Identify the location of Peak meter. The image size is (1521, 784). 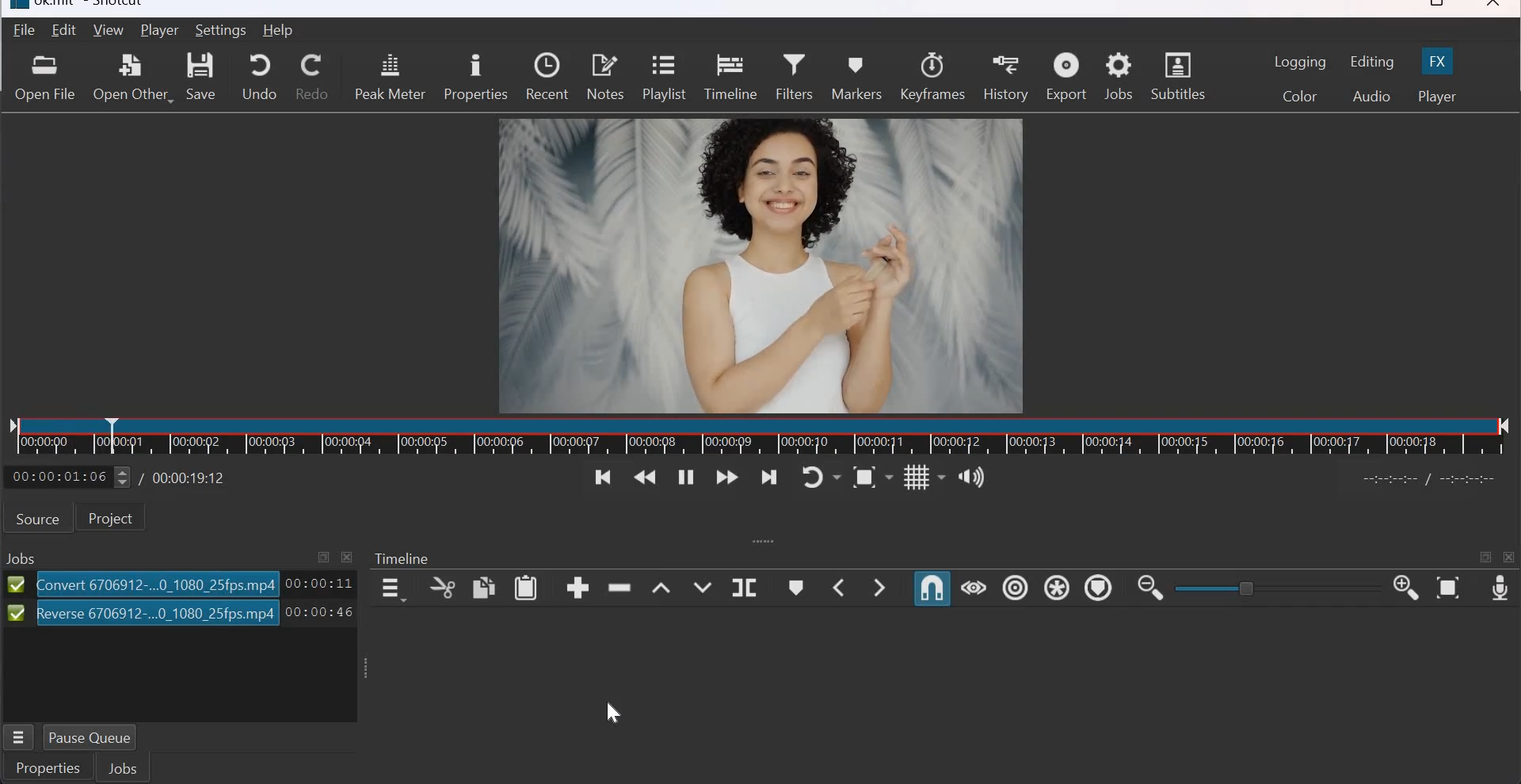
(390, 77).